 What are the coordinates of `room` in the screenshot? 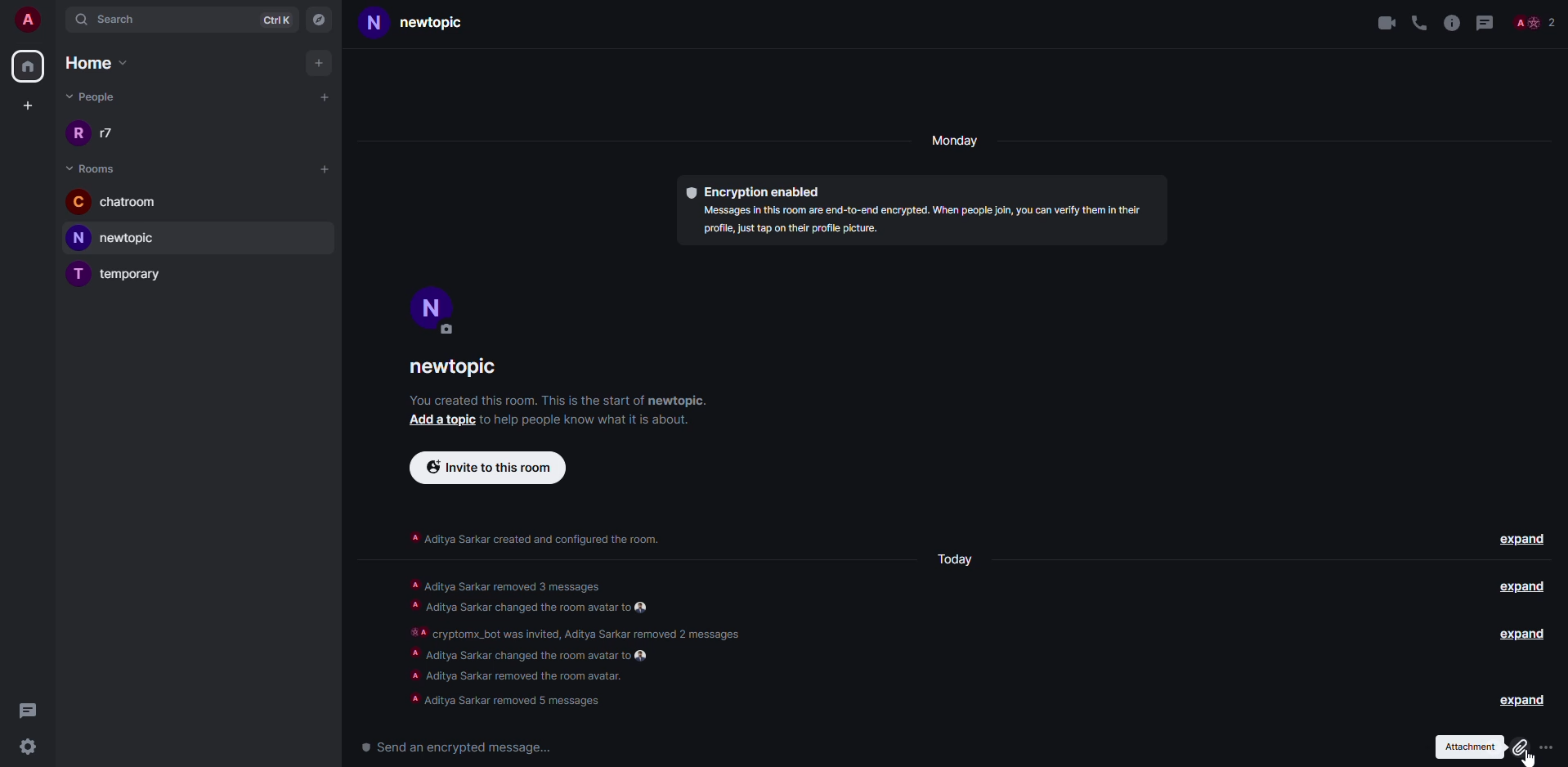 It's located at (121, 203).